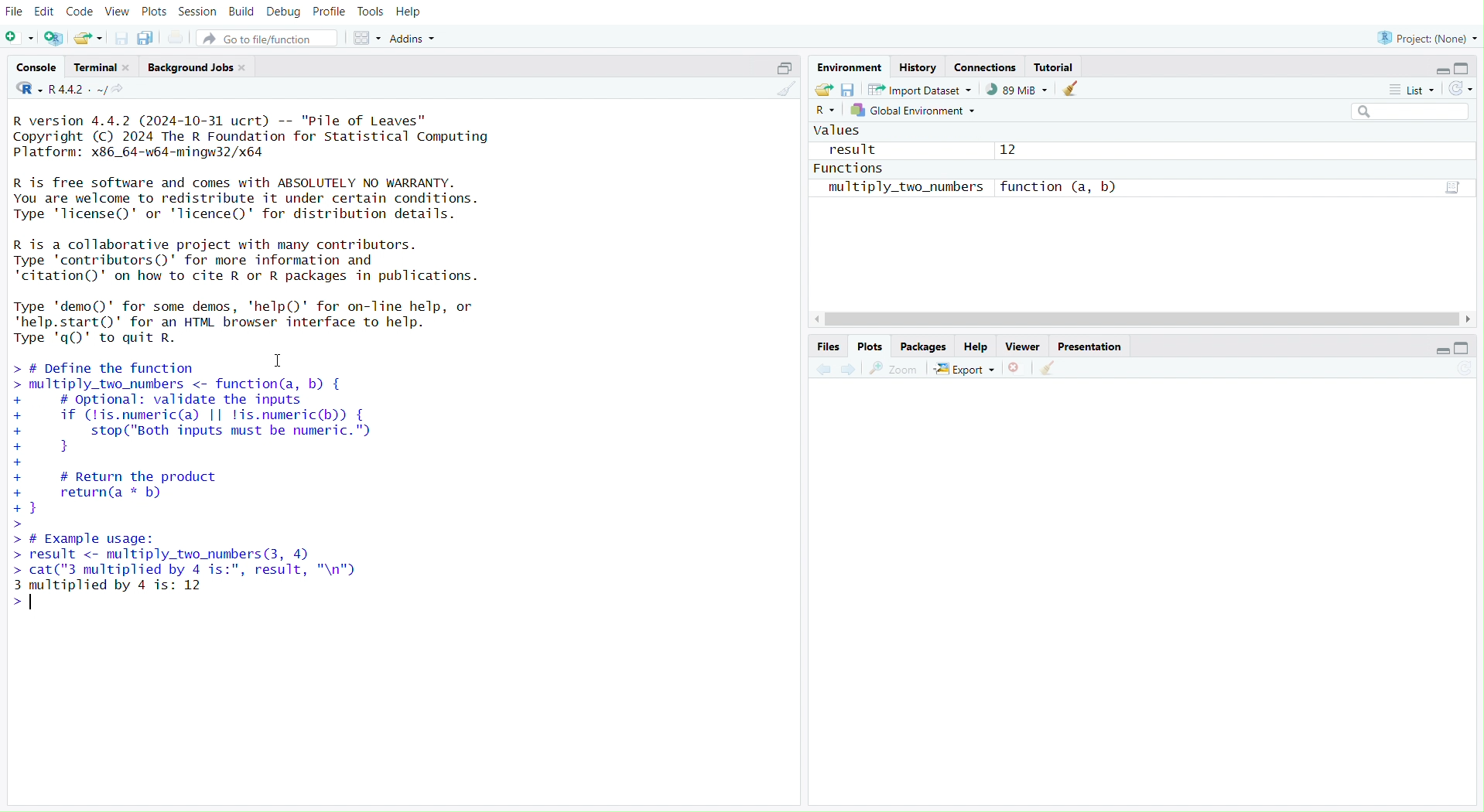 The height and width of the screenshot is (812, 1484). What do you see at coordinates (1463, 88) in the screenshot?
I see `Refresh the list of objects in the environment` at bounding box center [1463, 88].